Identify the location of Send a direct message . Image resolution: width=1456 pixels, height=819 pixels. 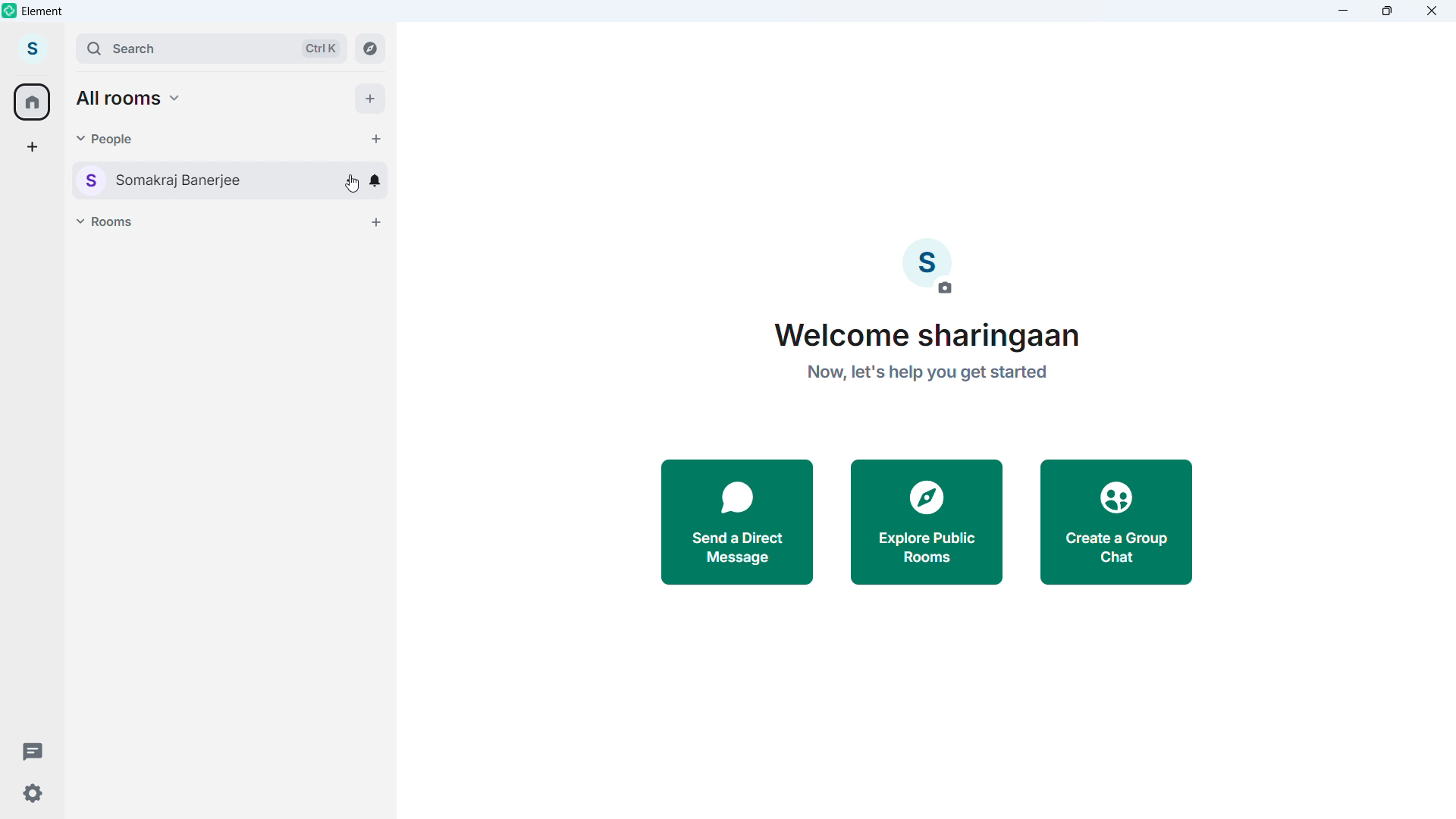
(737, 524).